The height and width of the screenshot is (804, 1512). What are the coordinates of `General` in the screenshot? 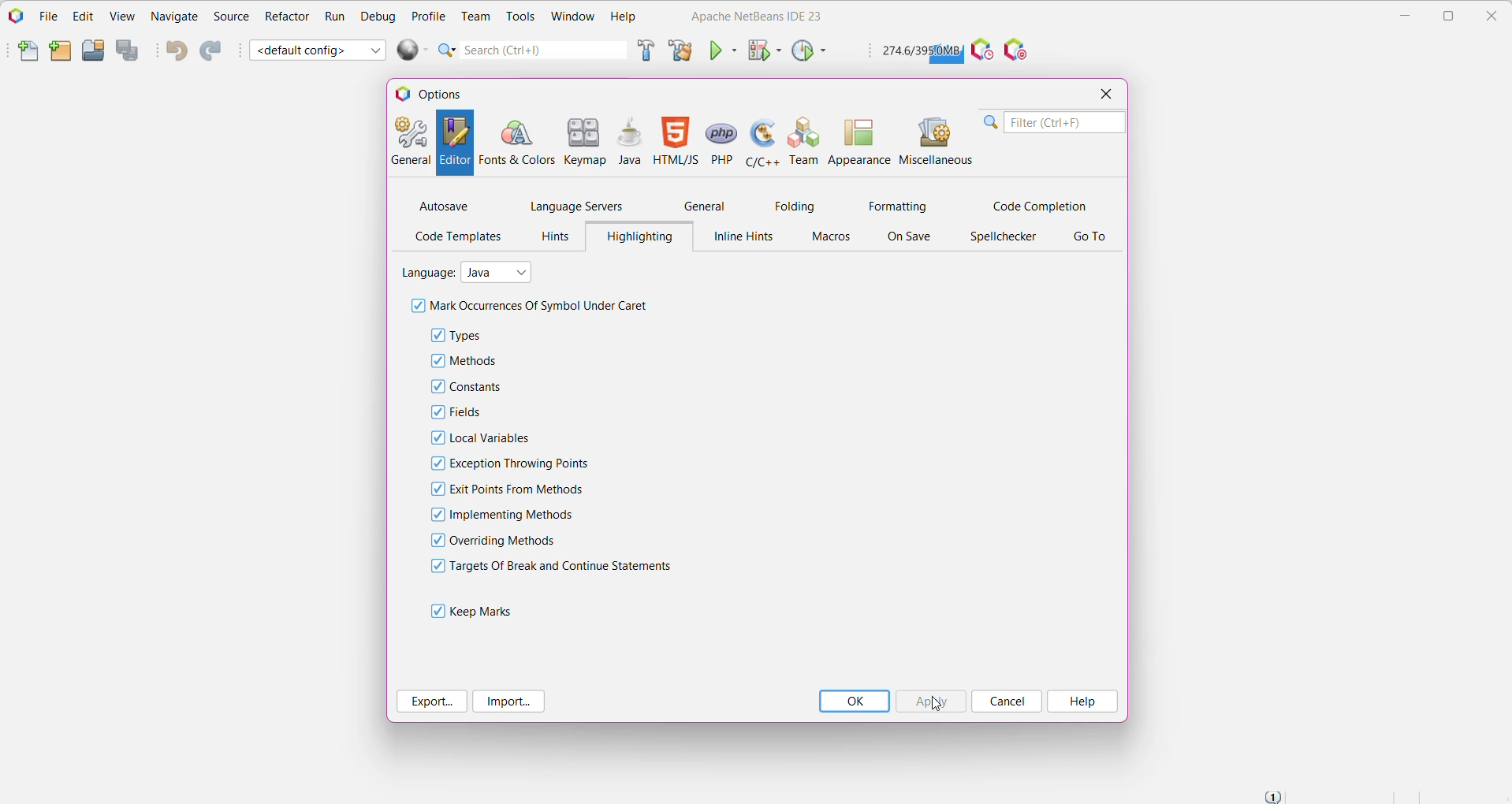 It's located at (410, 141).